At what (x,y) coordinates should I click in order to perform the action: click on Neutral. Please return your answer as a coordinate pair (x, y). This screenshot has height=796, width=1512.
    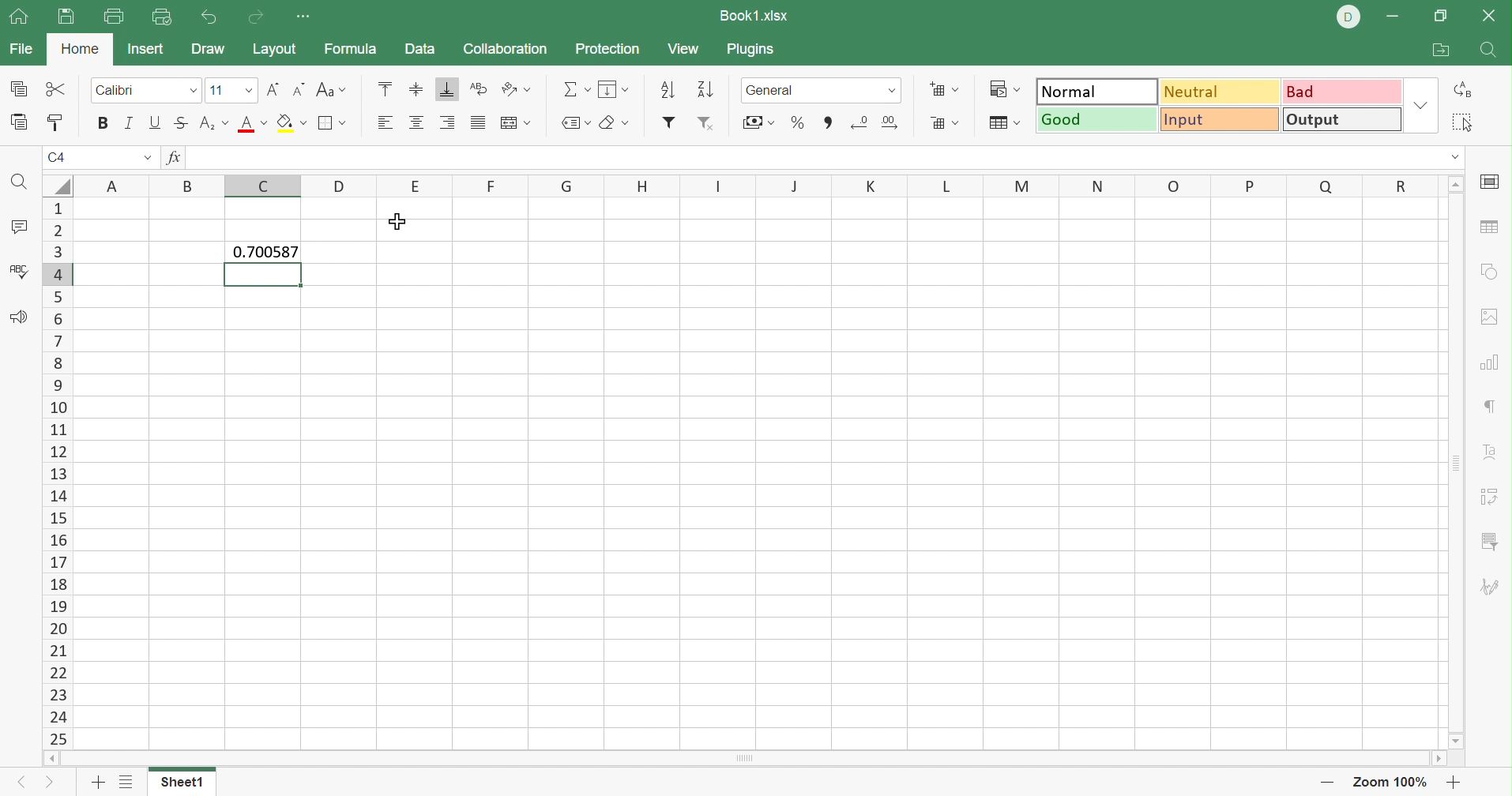
    Looking at the image, I should click on (1221, 92).